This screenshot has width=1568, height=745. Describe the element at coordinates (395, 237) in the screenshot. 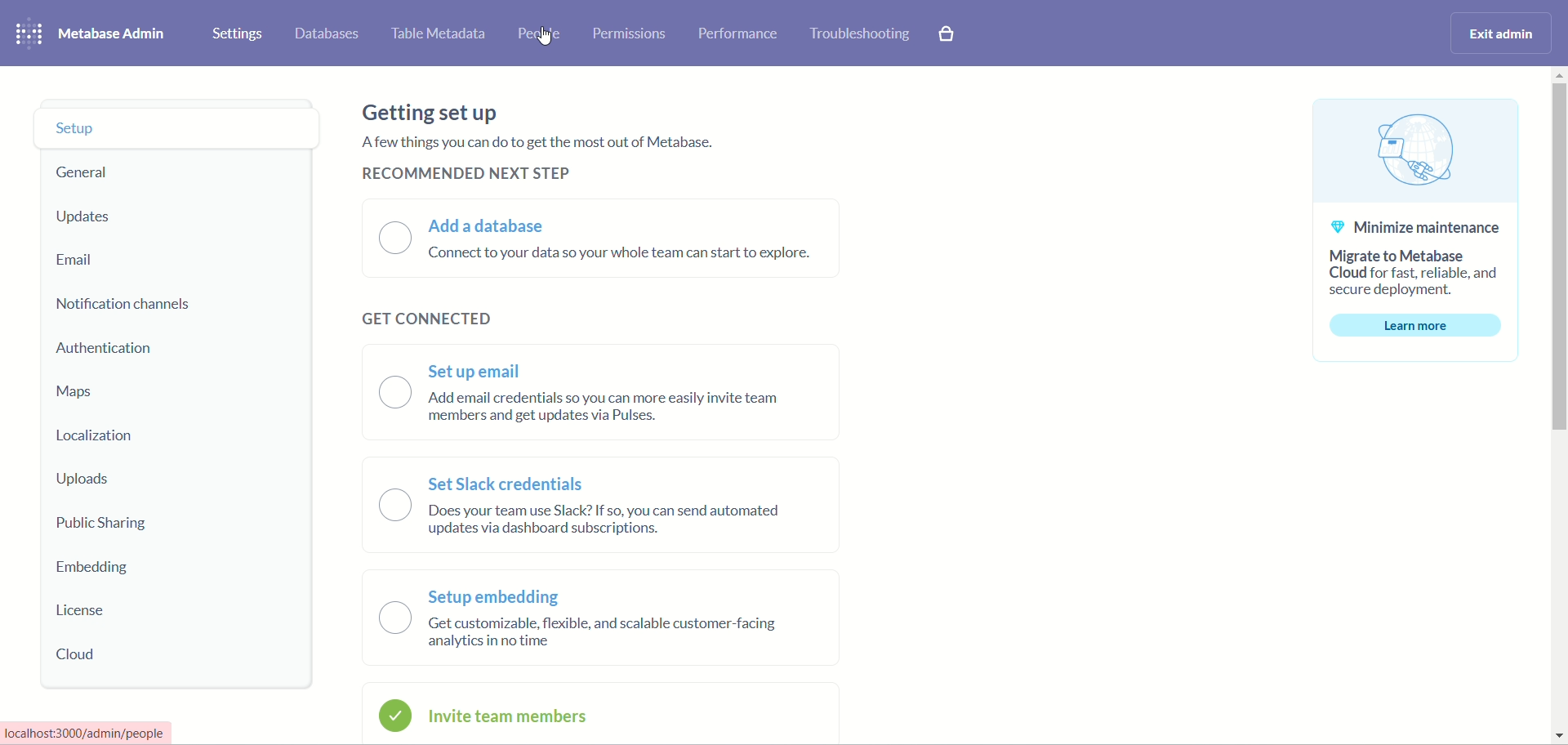

I see `toggle button` at that location.